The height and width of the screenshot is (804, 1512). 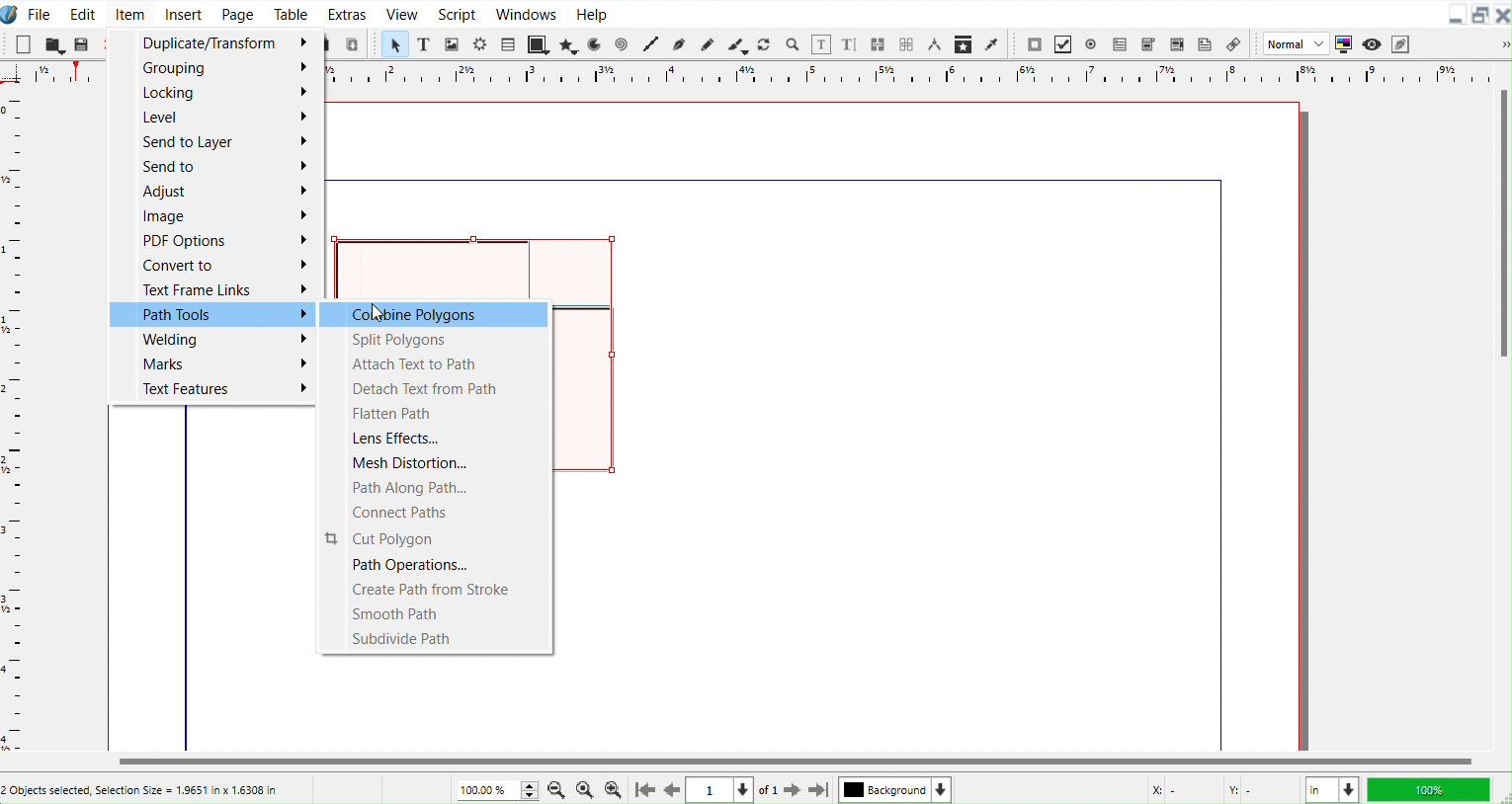 What do you see at coordinates (1502, 15) in the screenshot?
I see `Close` at bounding box center [1502, 15].